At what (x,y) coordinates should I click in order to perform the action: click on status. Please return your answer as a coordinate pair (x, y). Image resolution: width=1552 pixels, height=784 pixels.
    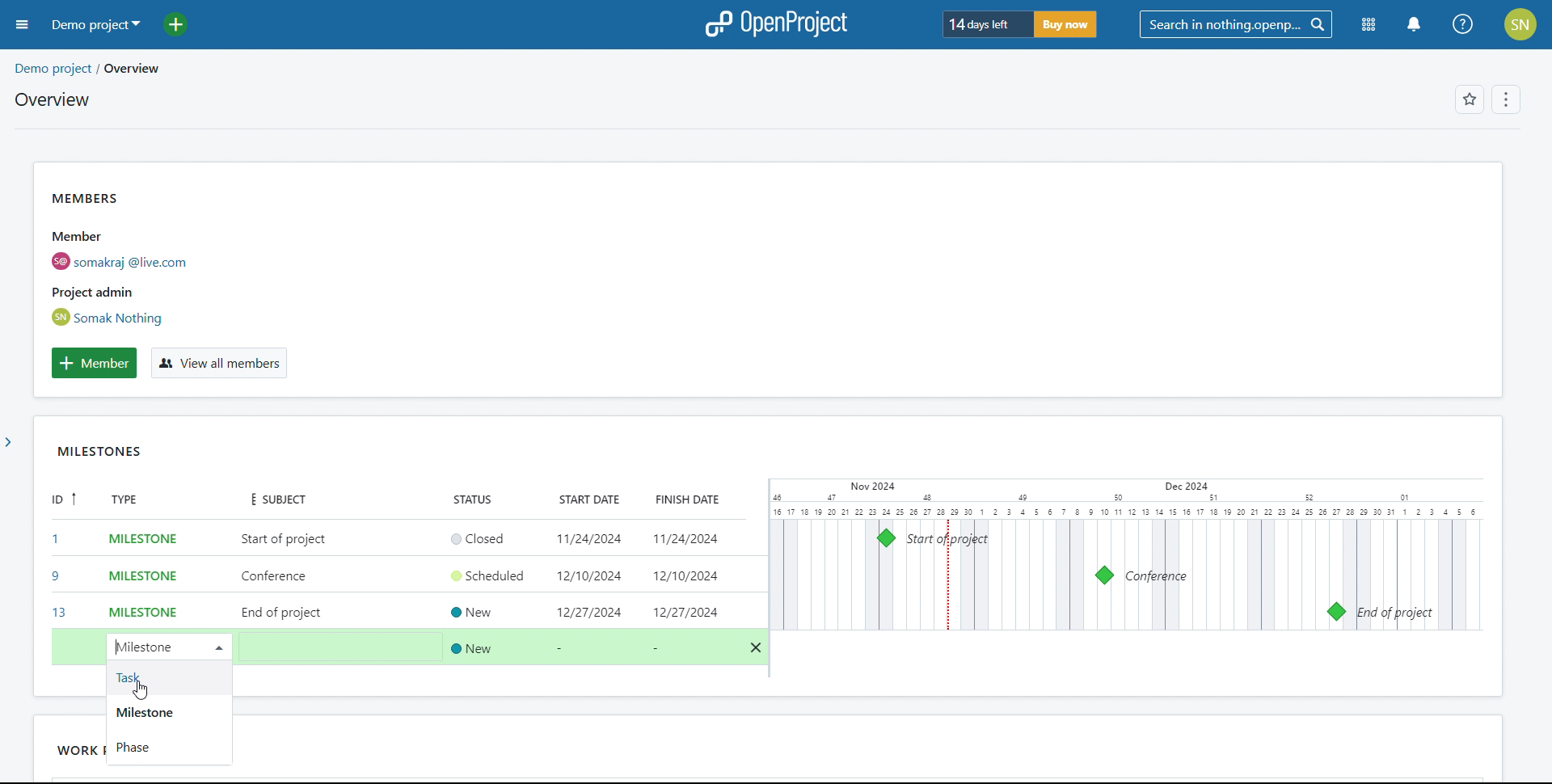
    Looking at the image, I should click on (483, 499).